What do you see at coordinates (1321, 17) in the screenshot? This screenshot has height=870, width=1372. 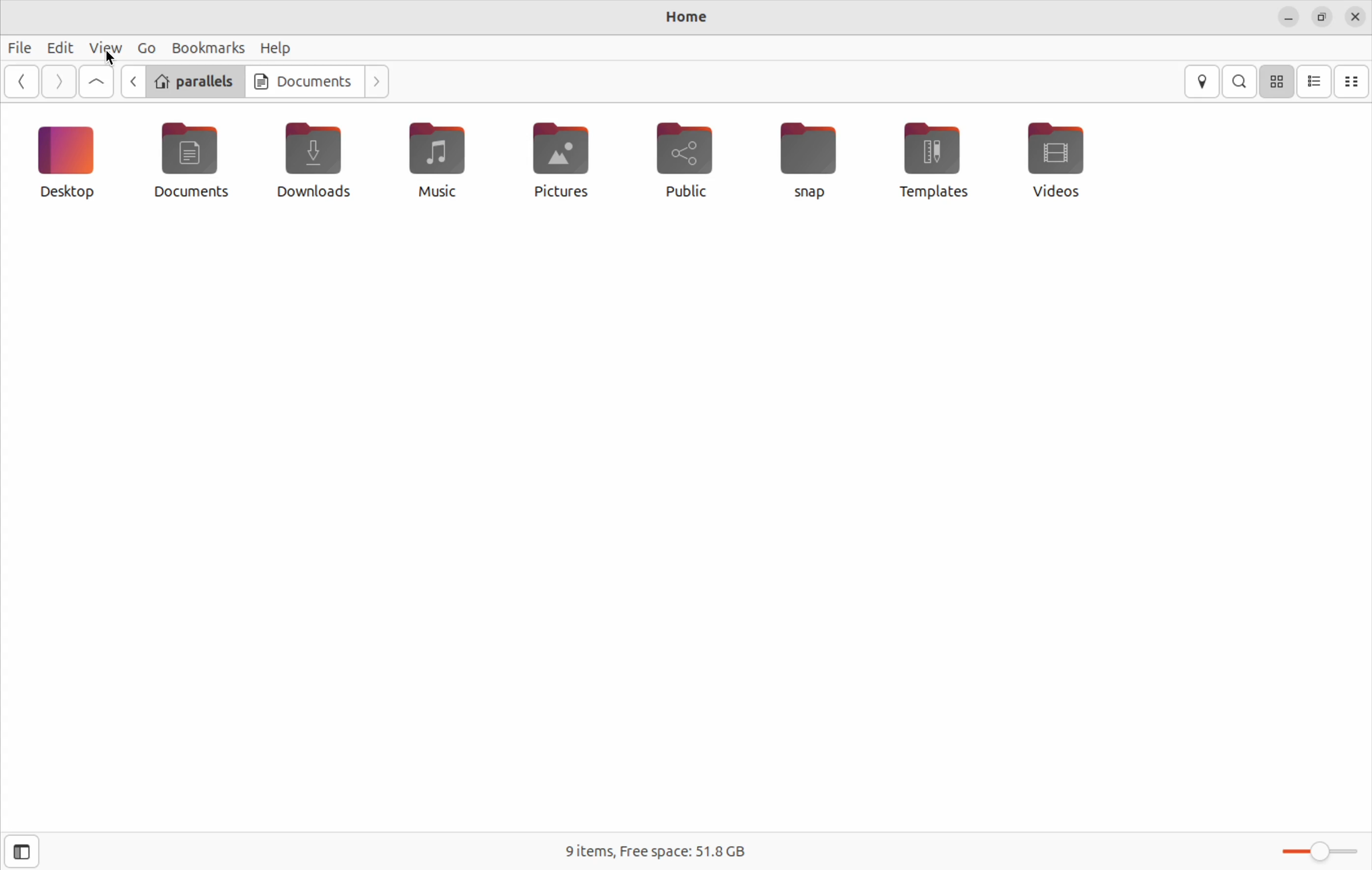 I see `resize` at bounding box center [1321, 17].